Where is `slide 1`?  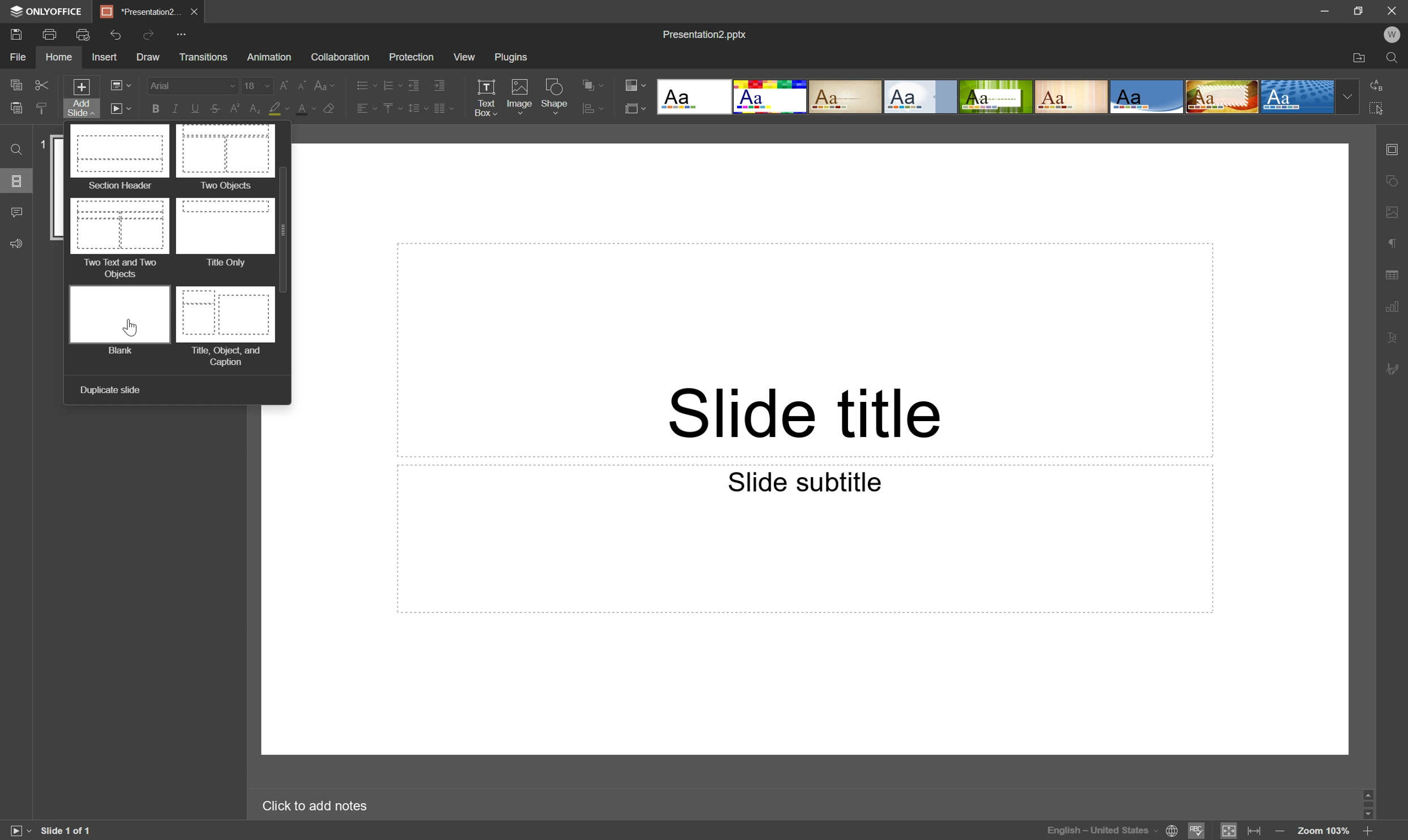
slide 1 is located at coordinates (58, 188).